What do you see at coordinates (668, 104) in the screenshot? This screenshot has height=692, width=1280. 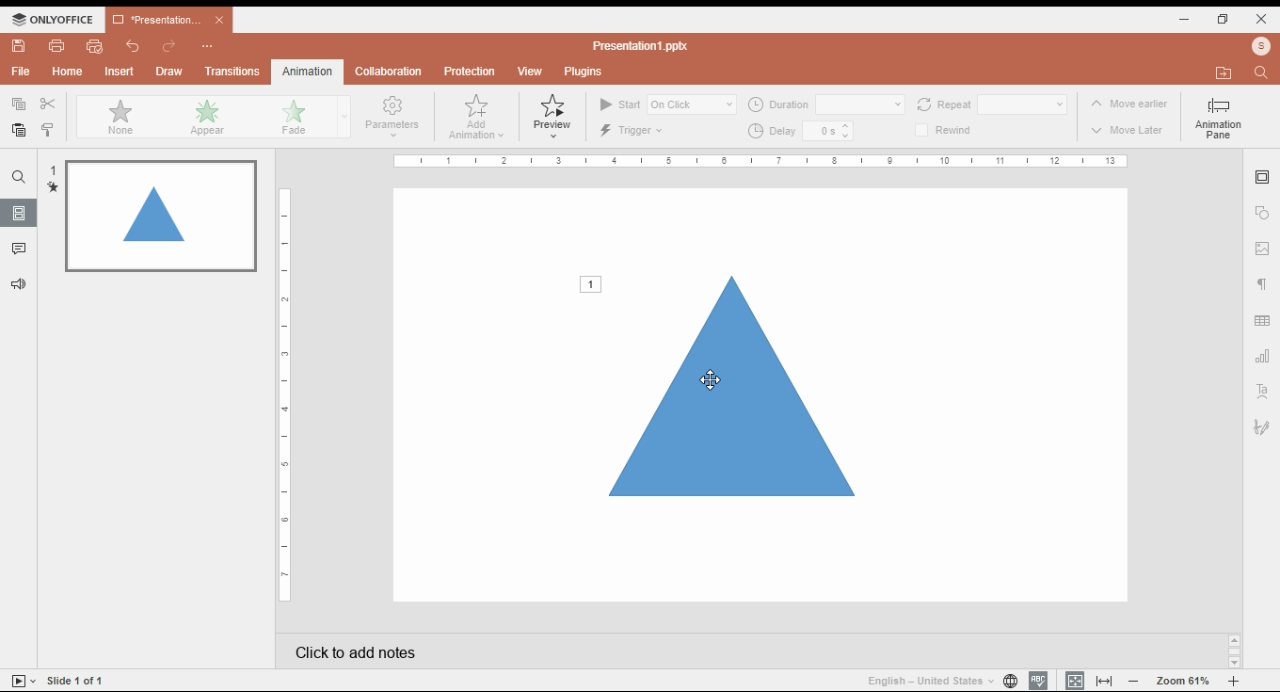 I see `start` at bounding box center [668, 104].